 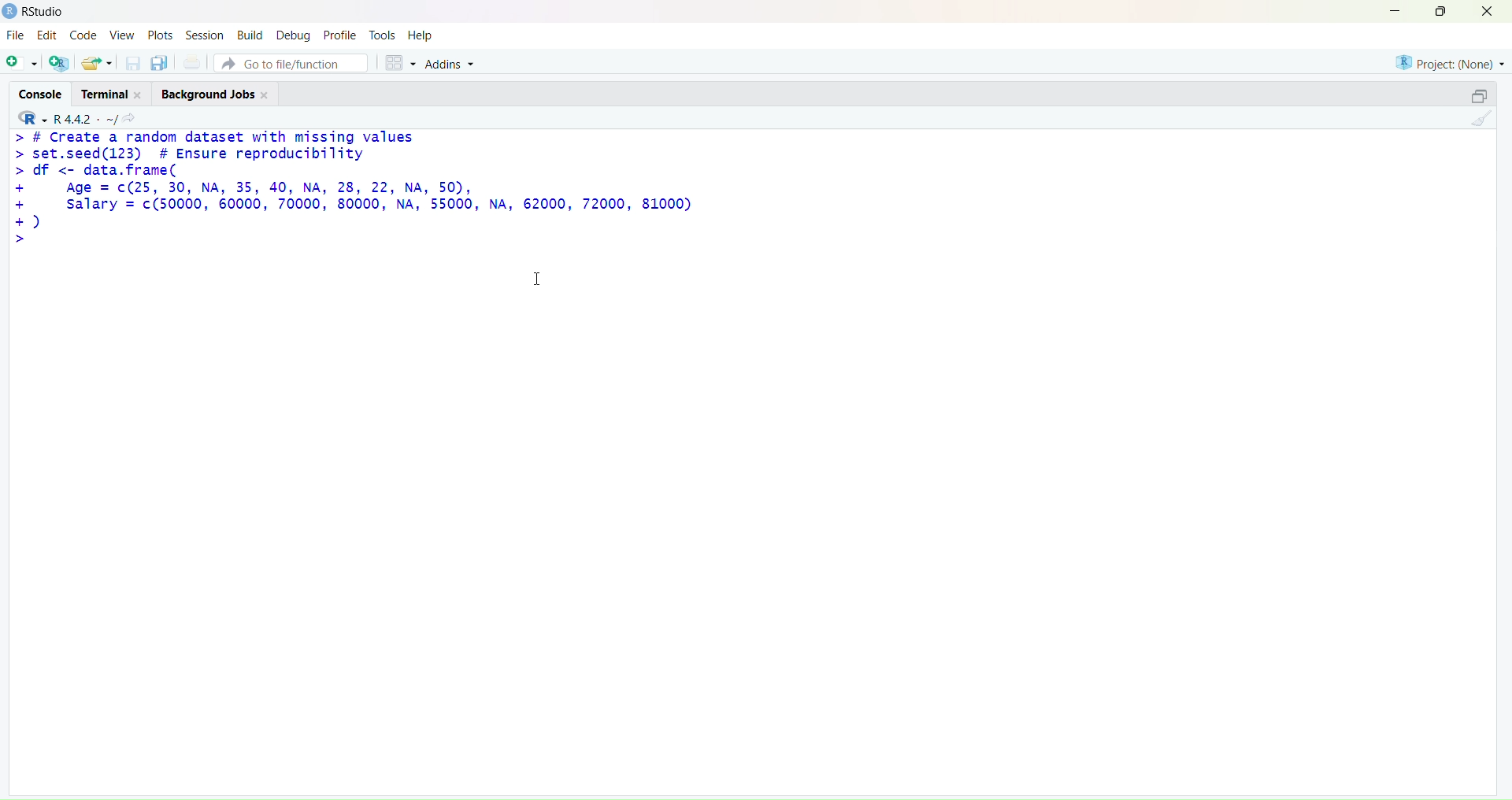 What do you see at coordinates (65, 117) in the screenshot?
I see `R 4.4.2` at bounding box center [65, 117].